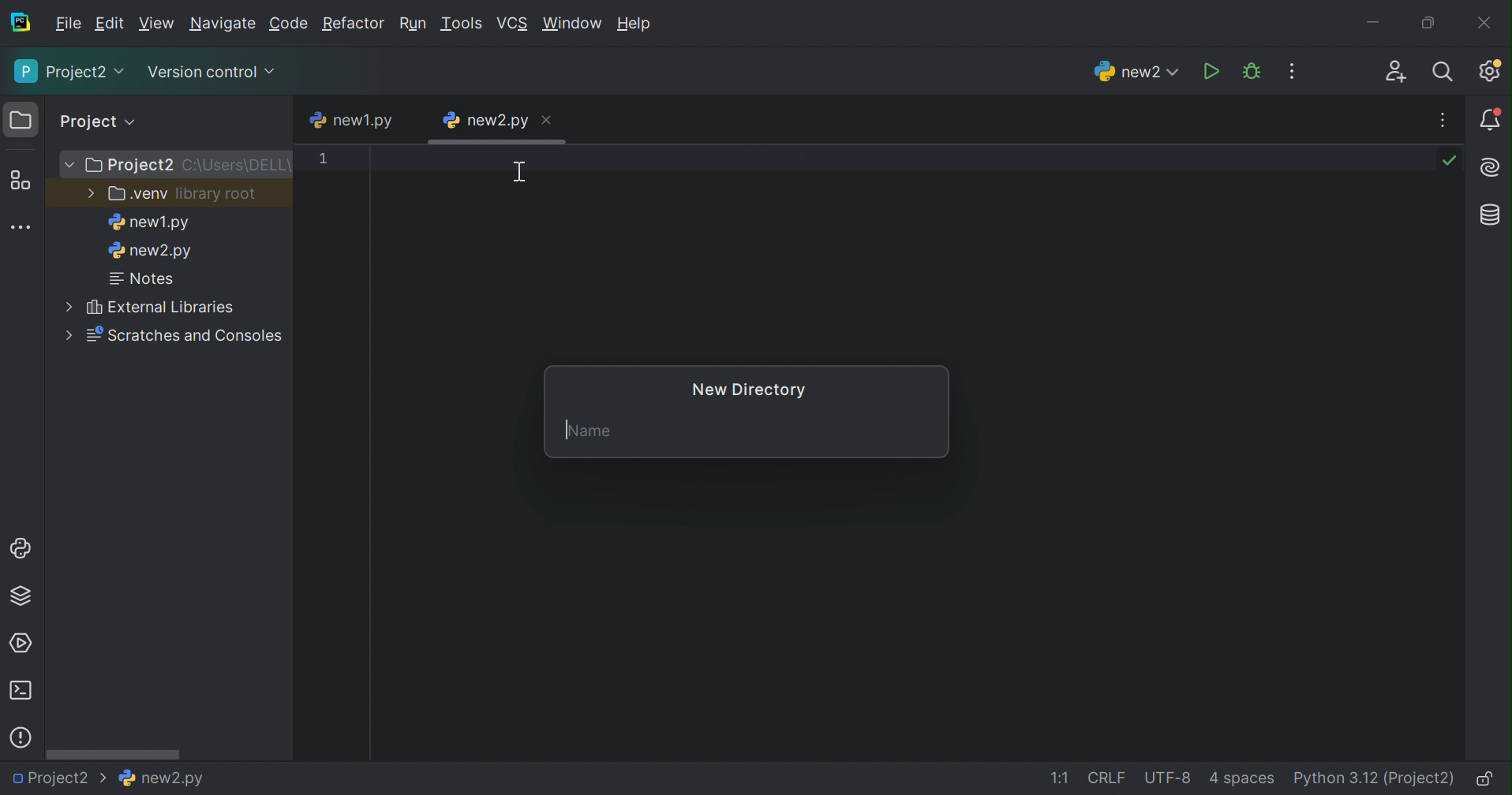 Image resolution: width=1512 pixels, height=795 pixels. Describe the element at coordinates (157, 21) in the screenshot. I see `Edit` at that location.